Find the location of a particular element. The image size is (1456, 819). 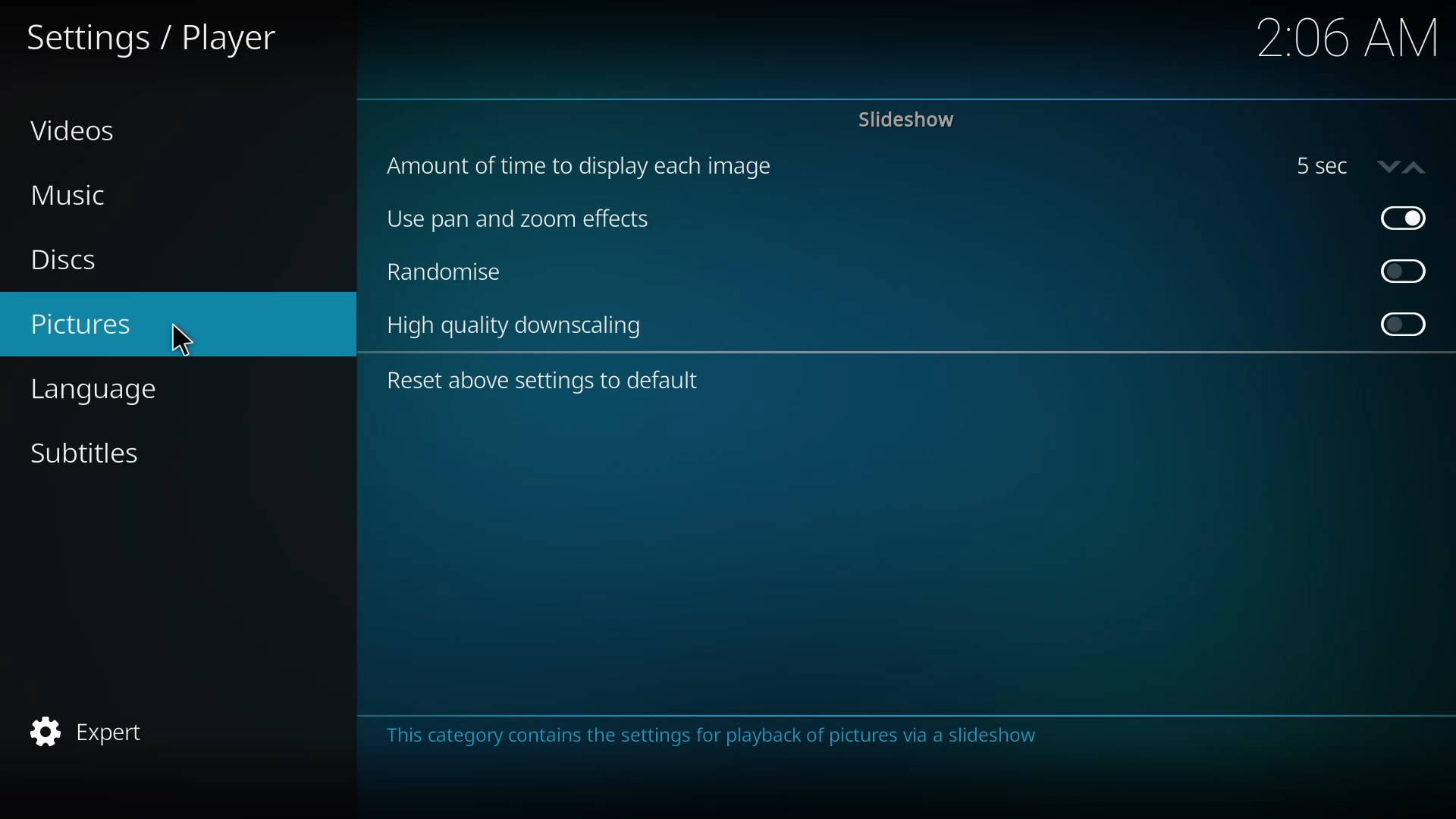

enabled is located at coordinates (1404, 217).